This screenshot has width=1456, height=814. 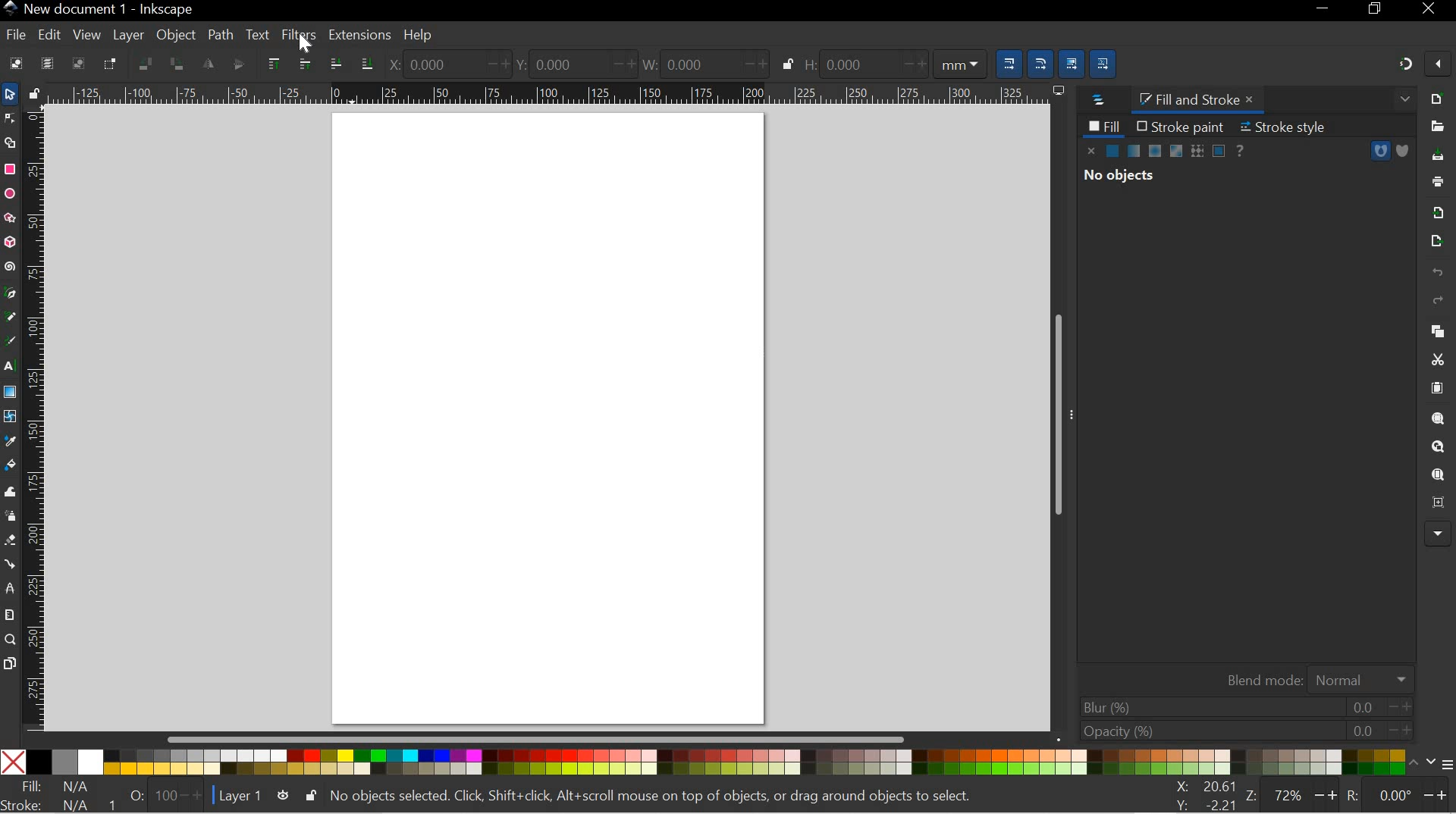 What do you see at coordinates (358, 35) in the screenshot?
I see `EXTENSIONS` at bounding box center [358, 35].